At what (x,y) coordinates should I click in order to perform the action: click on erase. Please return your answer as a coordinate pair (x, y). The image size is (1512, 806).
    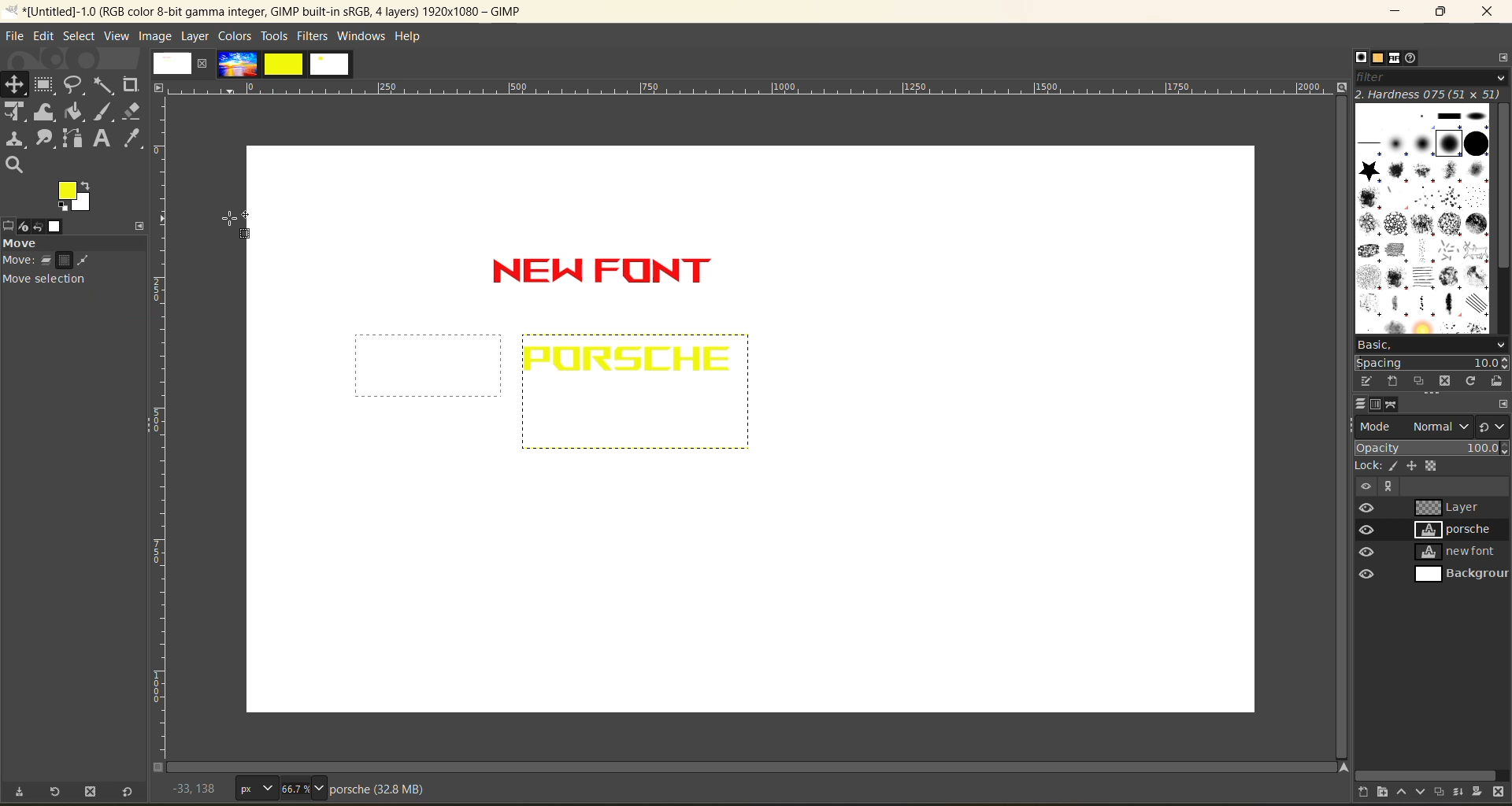
    Looking at the image, I should click on (132, 110).